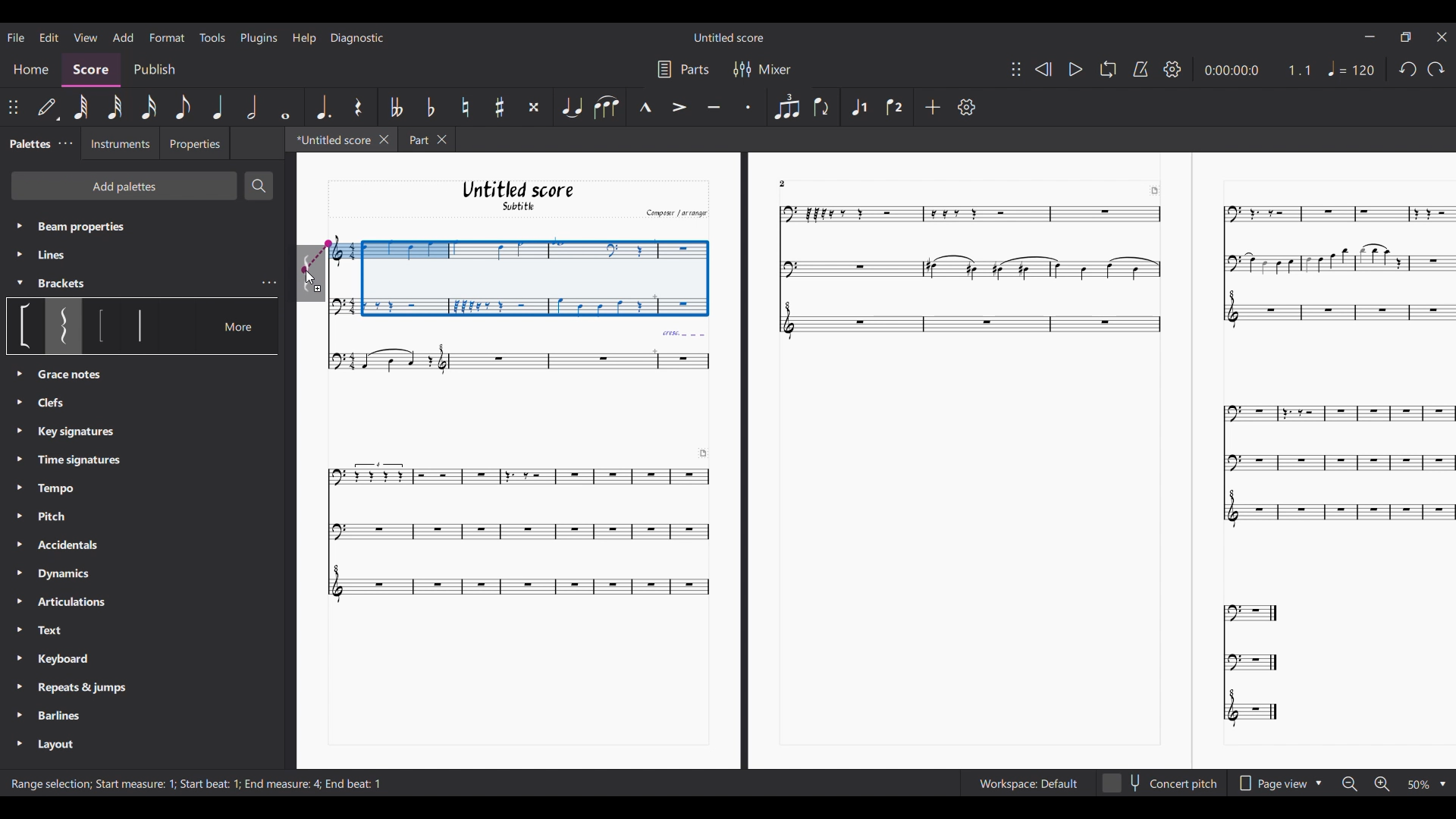  What do you see at coordinates (102, 326) in the screenshot?
I see `Option under bracket section` at bounding box center [102, 326].